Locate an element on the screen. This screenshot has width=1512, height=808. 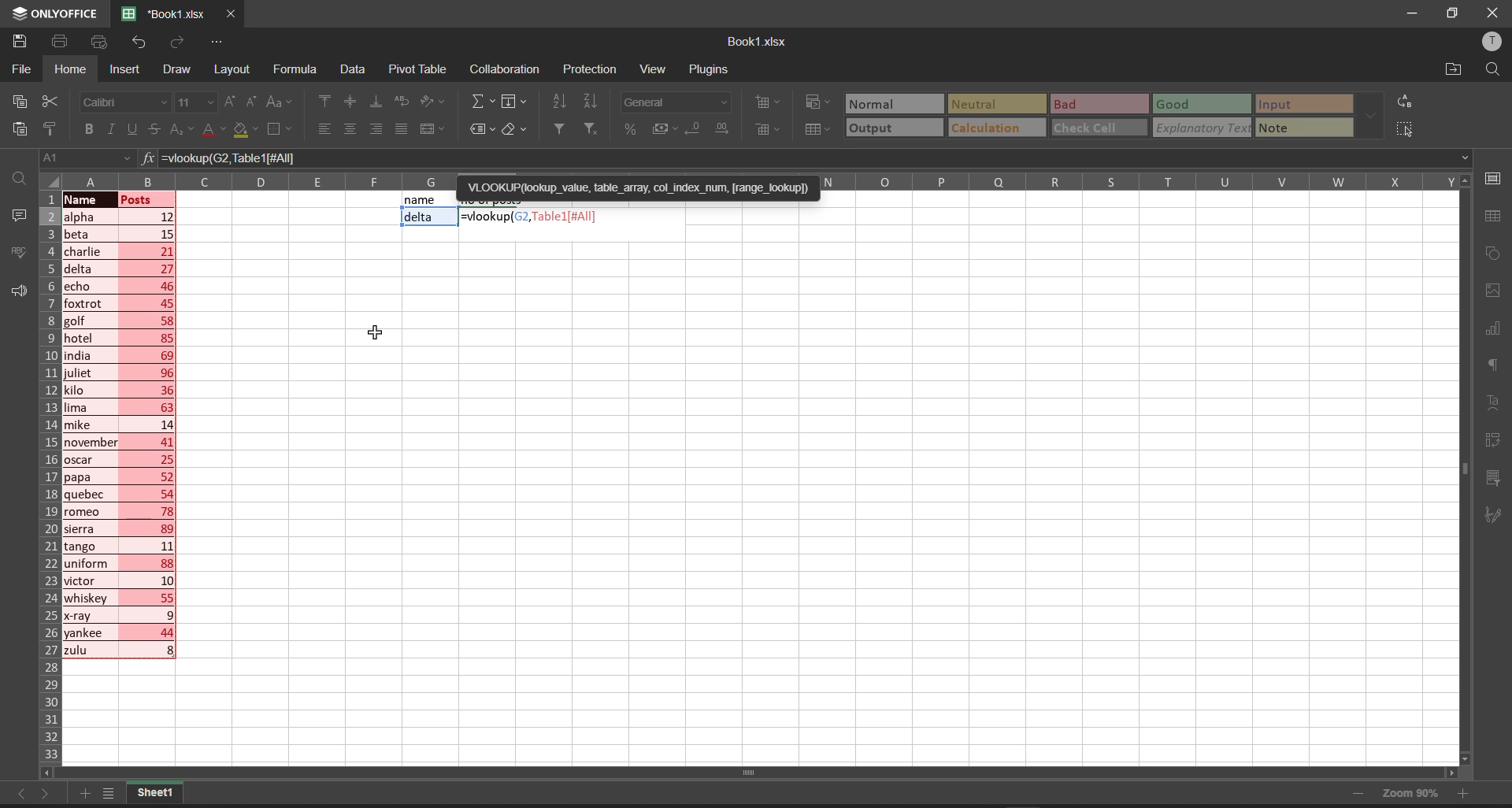
spell checking is located at coordinates (15, 252).